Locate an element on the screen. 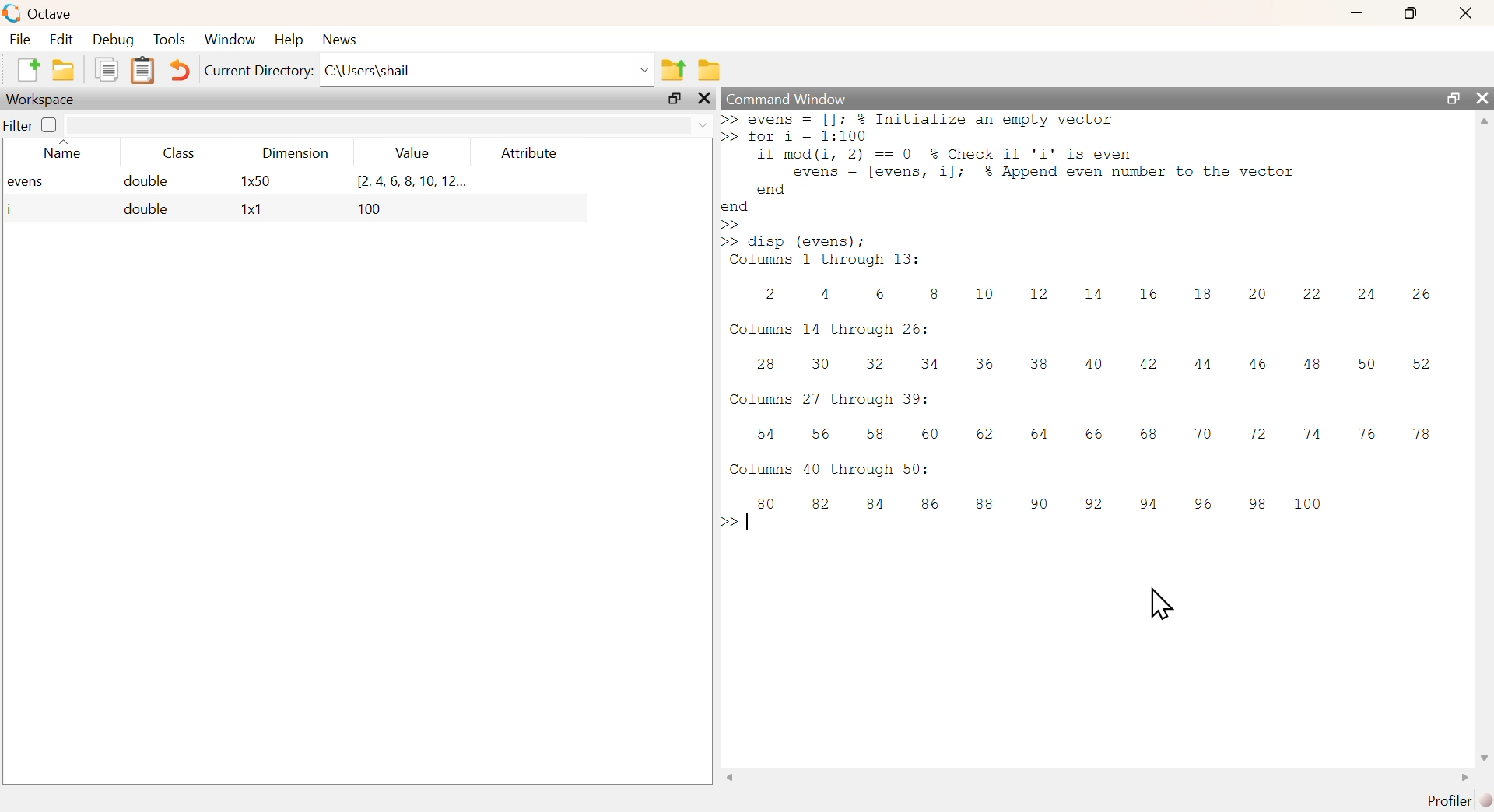 This screenshot has height=812, width=1494. 1x1 is located at coordinates (251, 211).